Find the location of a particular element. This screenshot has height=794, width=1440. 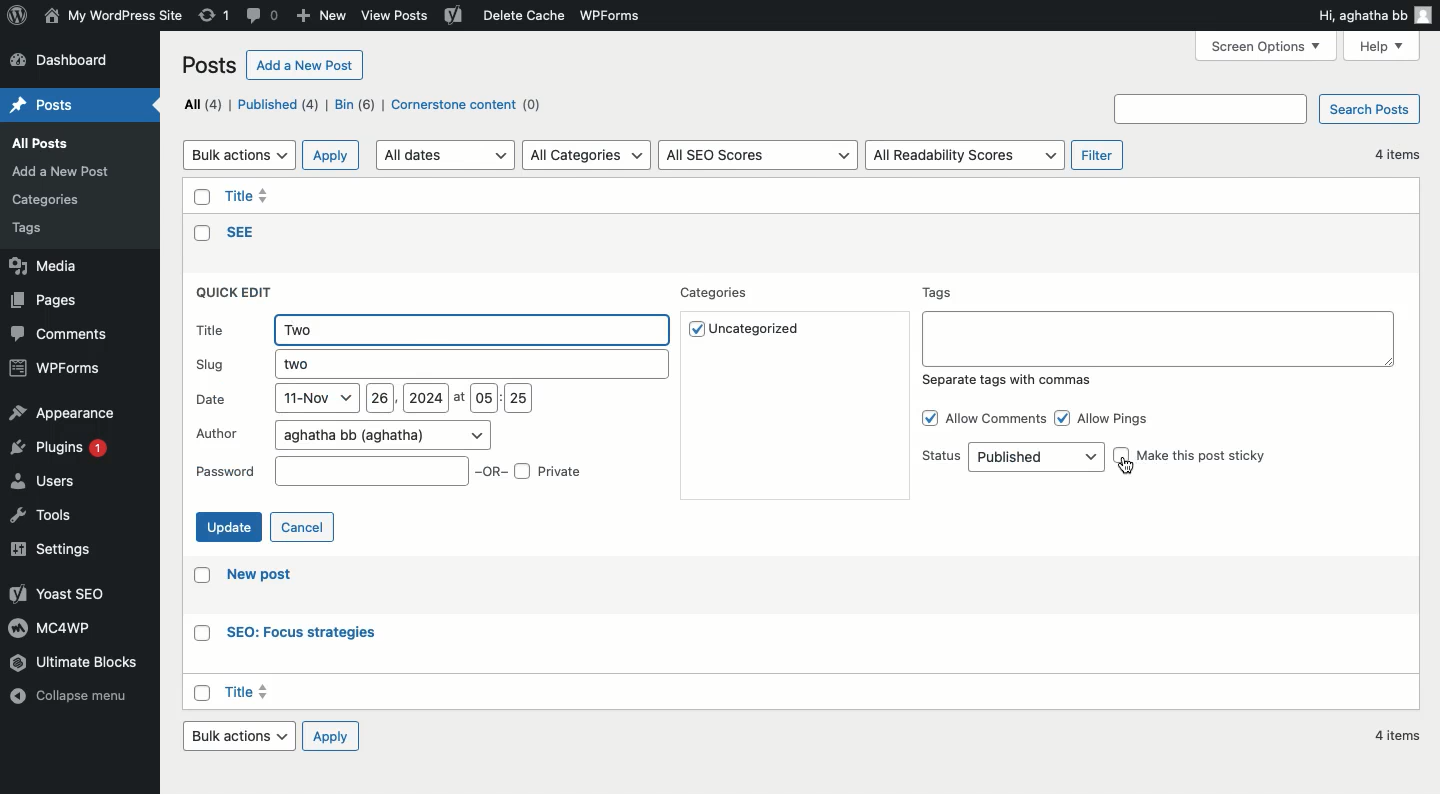

categories is located at coordinates (53, 196).